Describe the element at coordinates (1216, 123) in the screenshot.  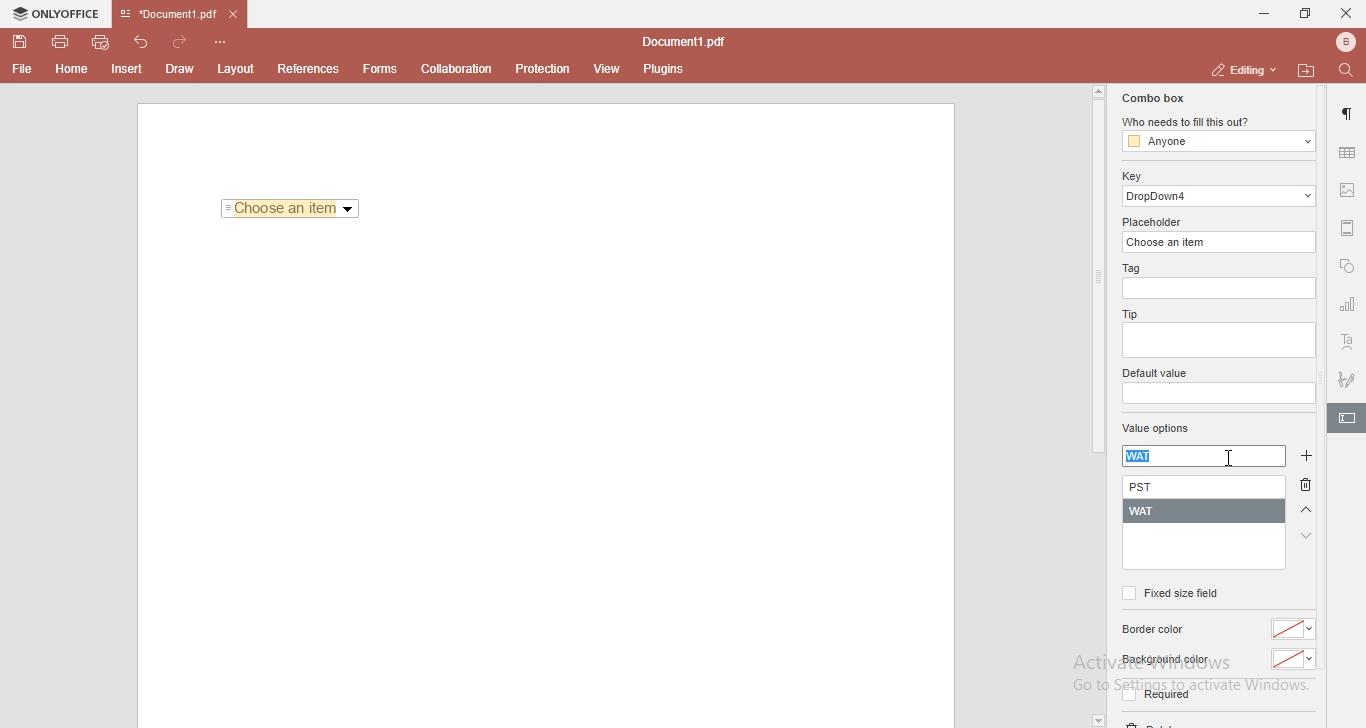
I see `who needs to fill this out?` at that location.